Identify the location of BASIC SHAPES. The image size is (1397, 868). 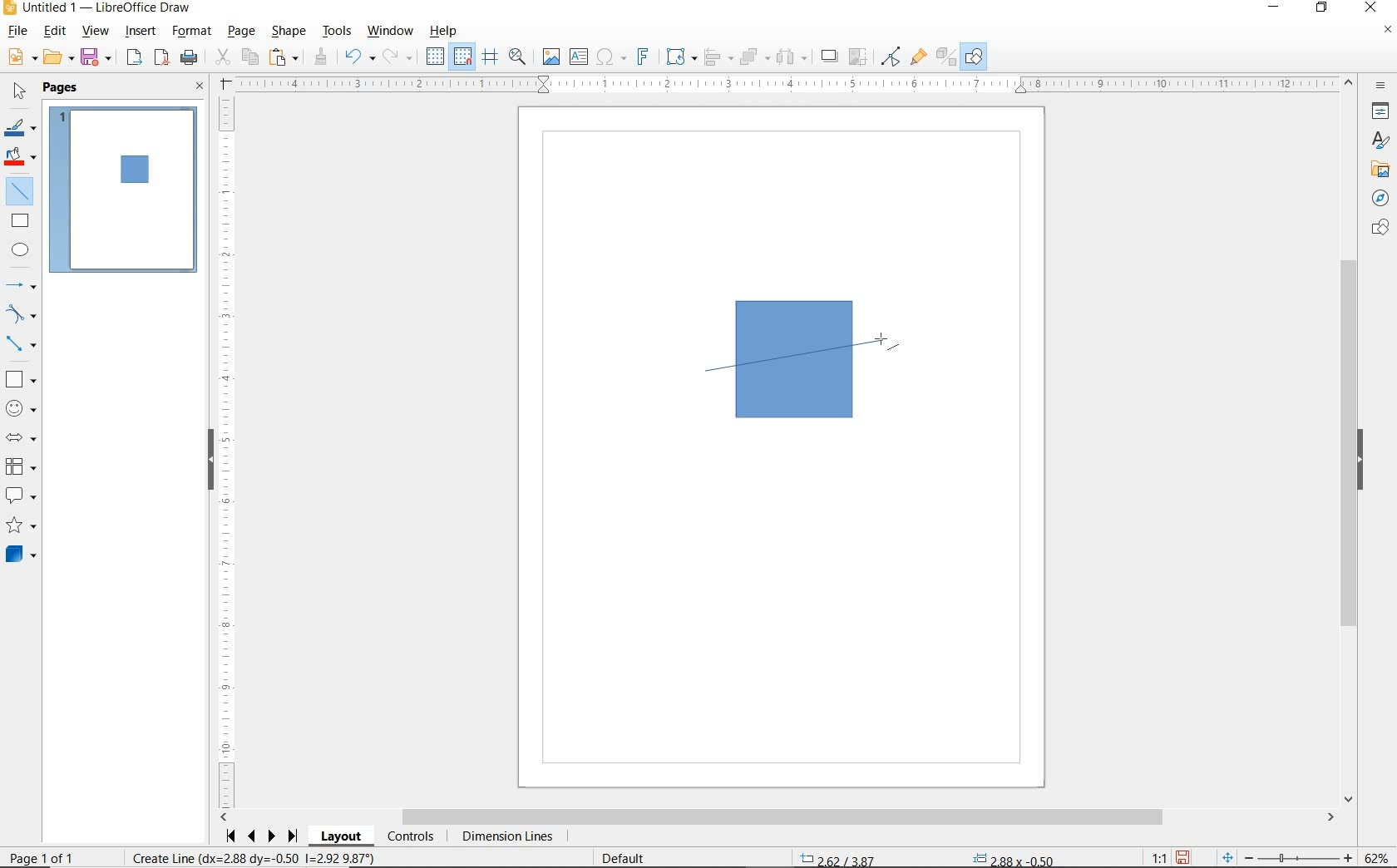
(19, 377).